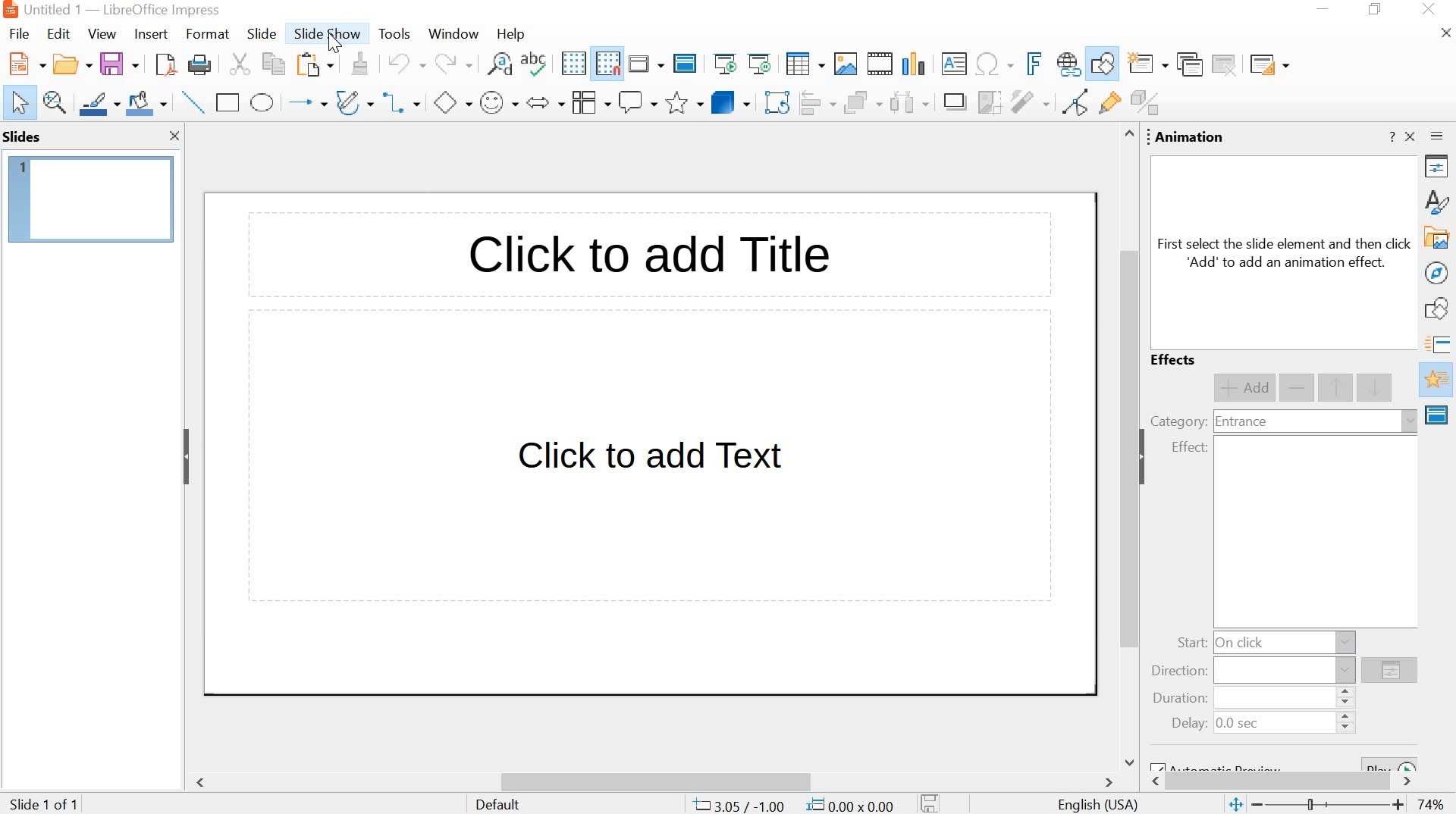  Describe the element at coordinates (334, 44) in the screenshot. I see `cursor` at that location.